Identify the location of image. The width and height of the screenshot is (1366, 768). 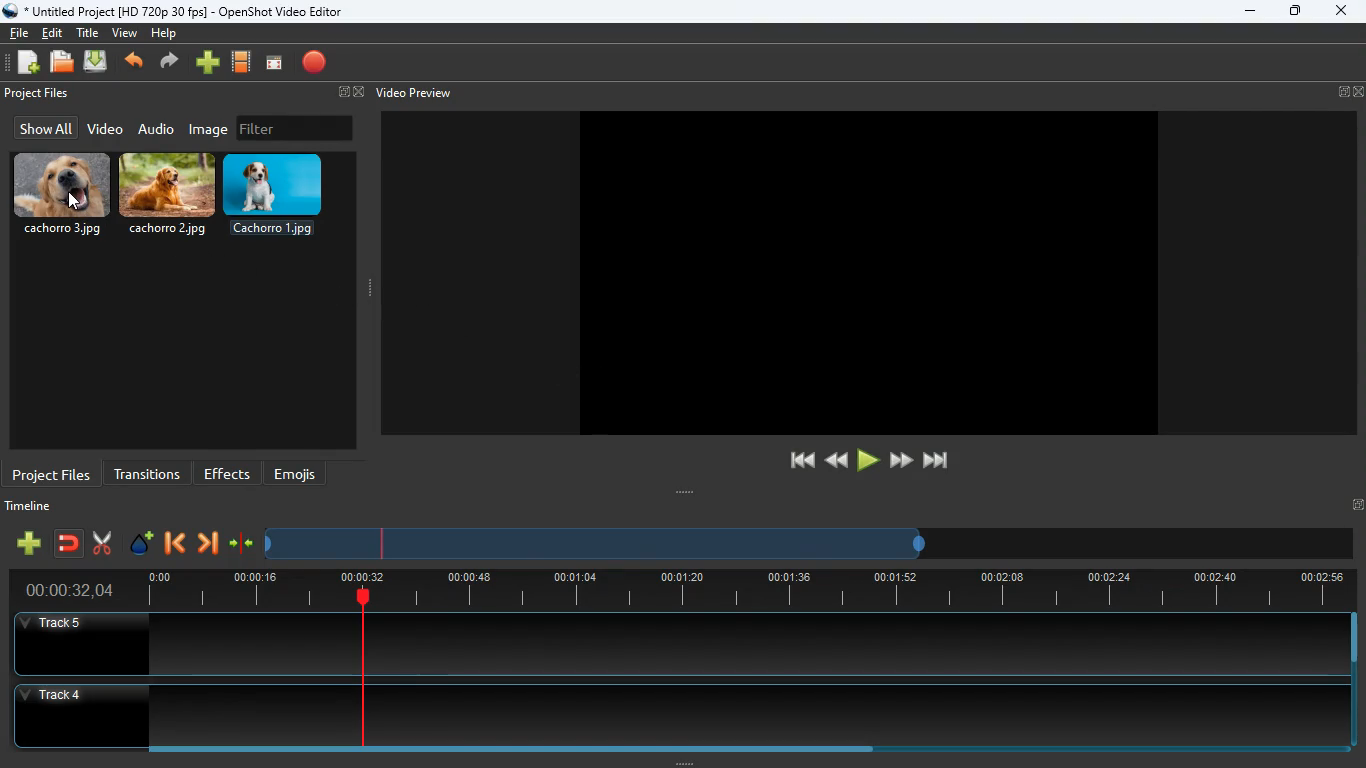
(881, 270).